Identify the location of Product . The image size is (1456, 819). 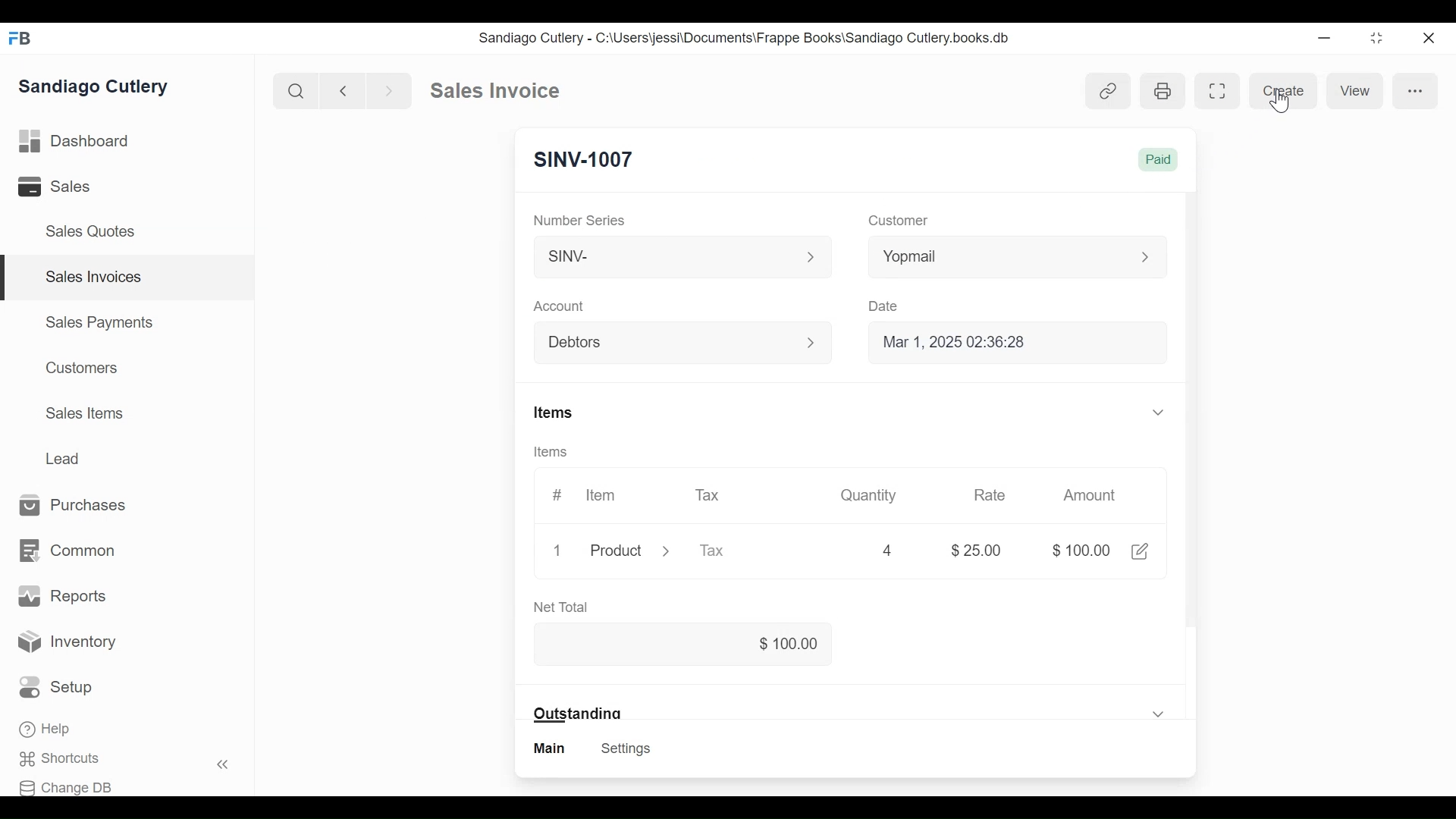
(628, 551).